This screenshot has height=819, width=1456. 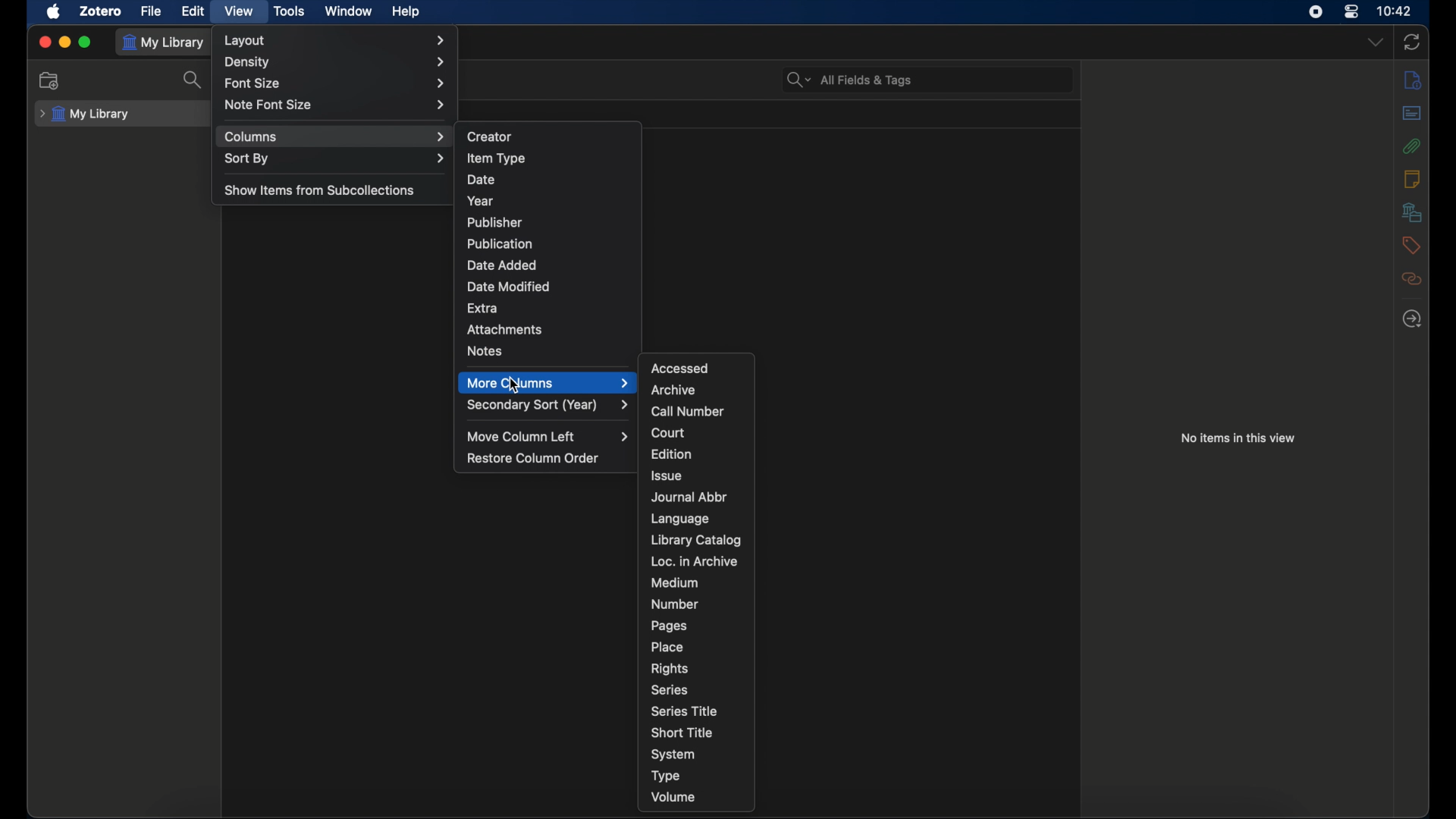 I want to click on journal abbr, so click(x=691, y=497).